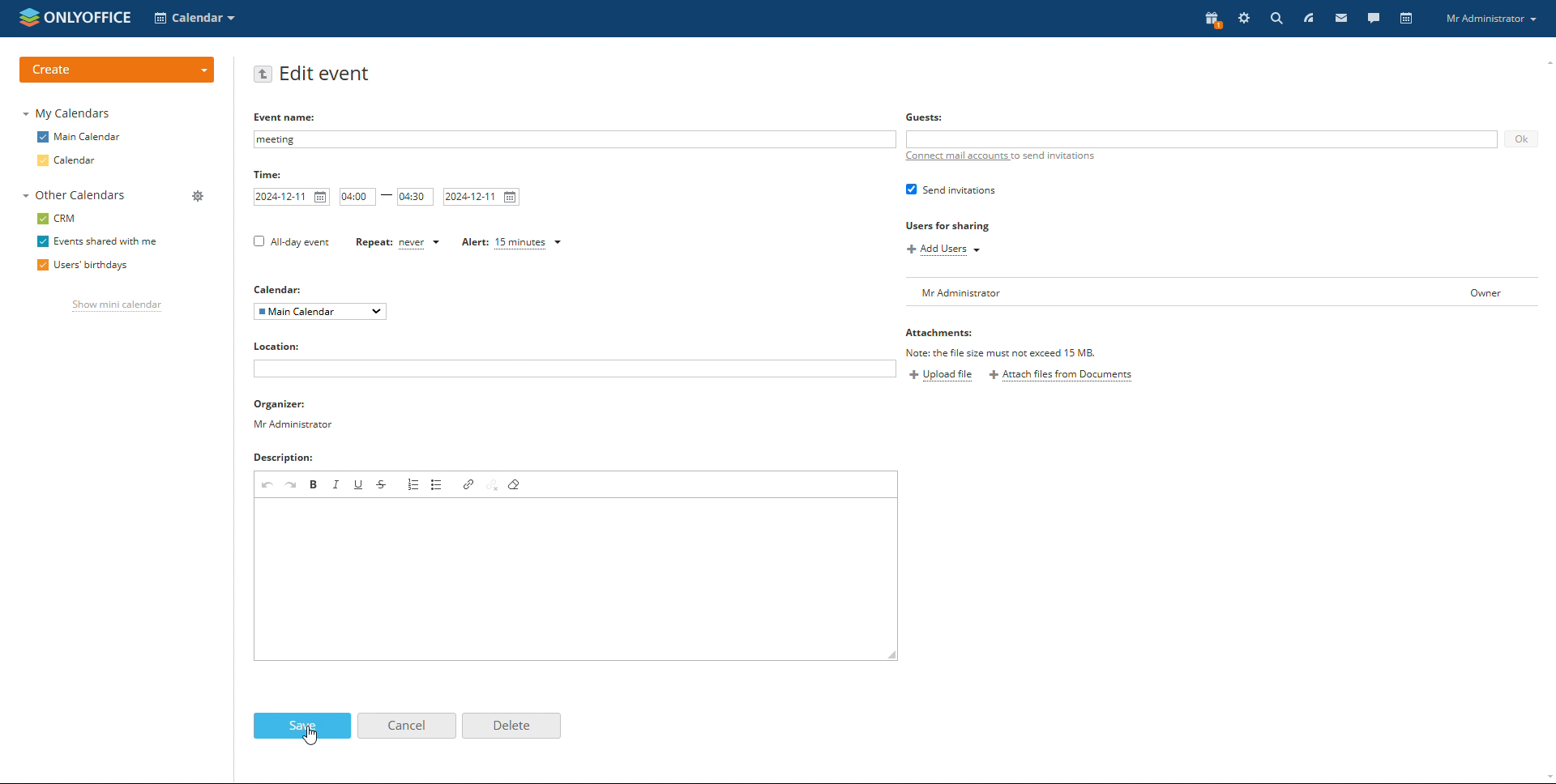  I want to click on select calendar, so click(320, 312).